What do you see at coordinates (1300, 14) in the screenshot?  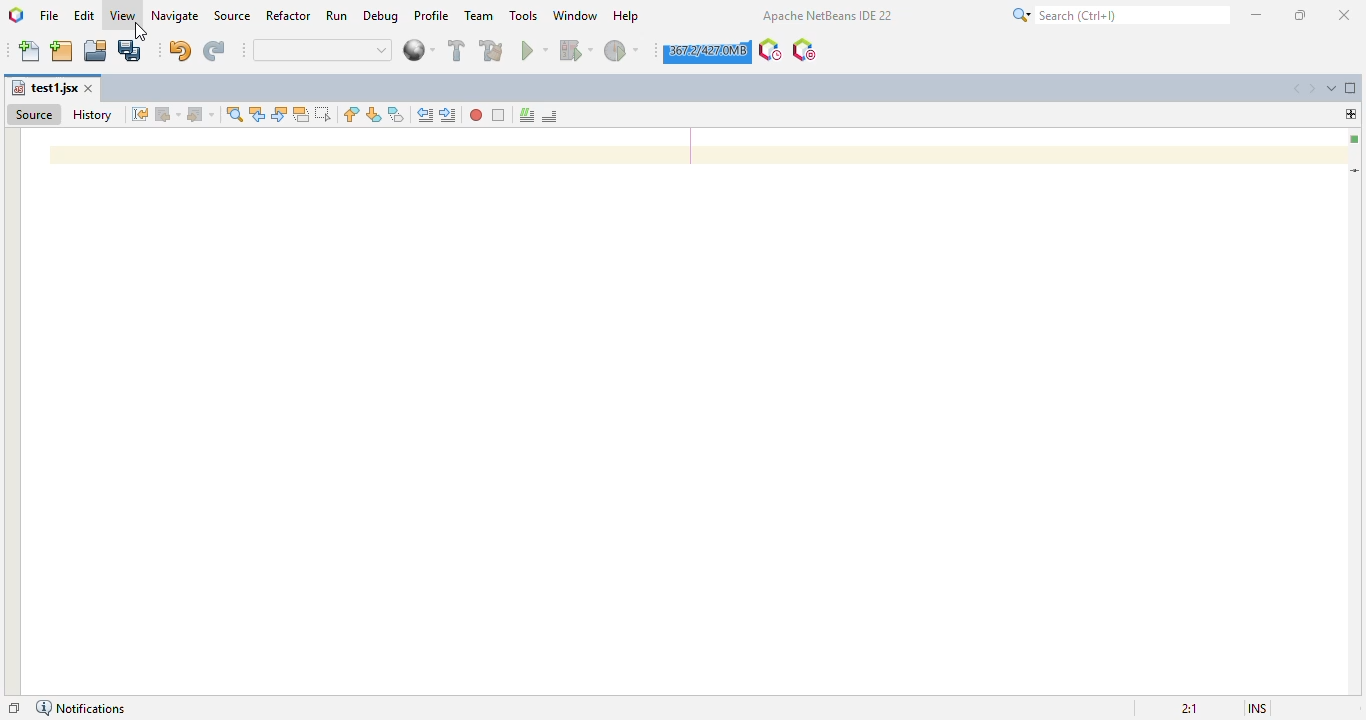 I see `maximize` at bounding box center [1300, 14].